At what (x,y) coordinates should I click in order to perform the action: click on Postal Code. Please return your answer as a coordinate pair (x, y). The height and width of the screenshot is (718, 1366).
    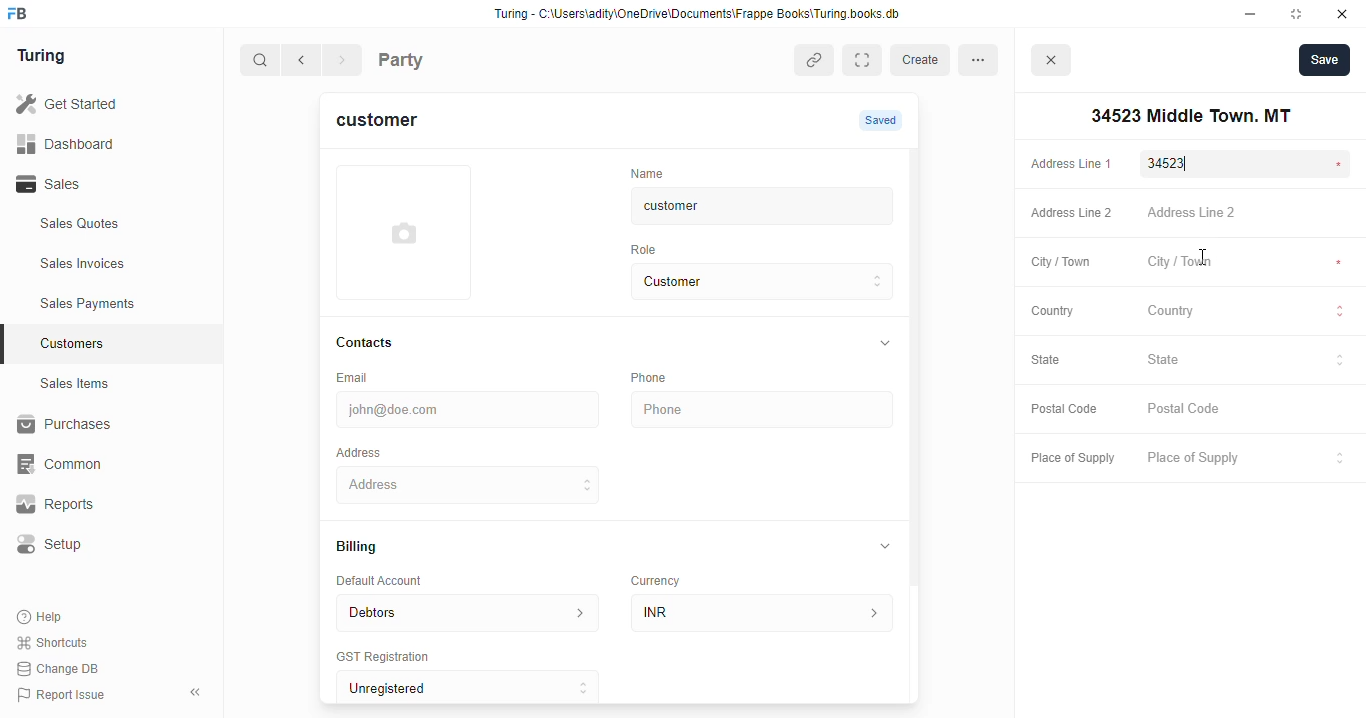
    Looking at the image, I should click on (1064, 410).